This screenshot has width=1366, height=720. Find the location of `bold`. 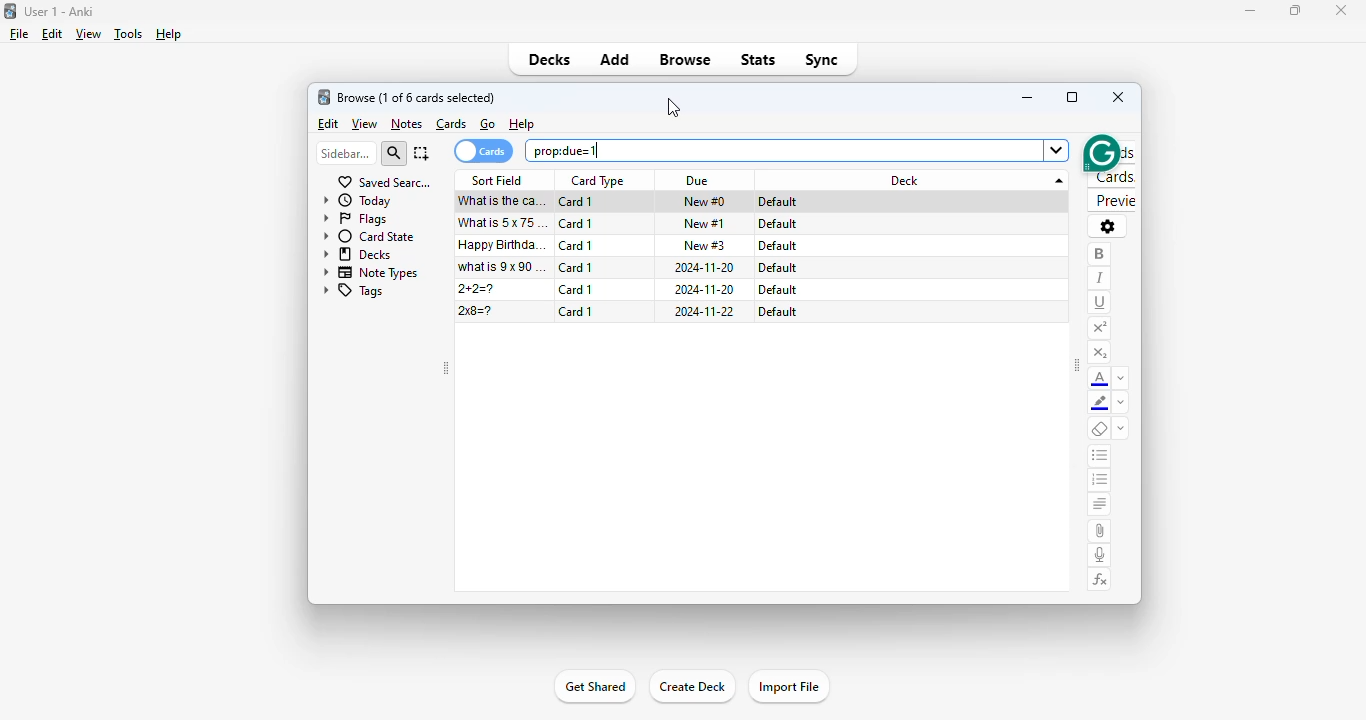

bold is located at coordinates (1100, 255).